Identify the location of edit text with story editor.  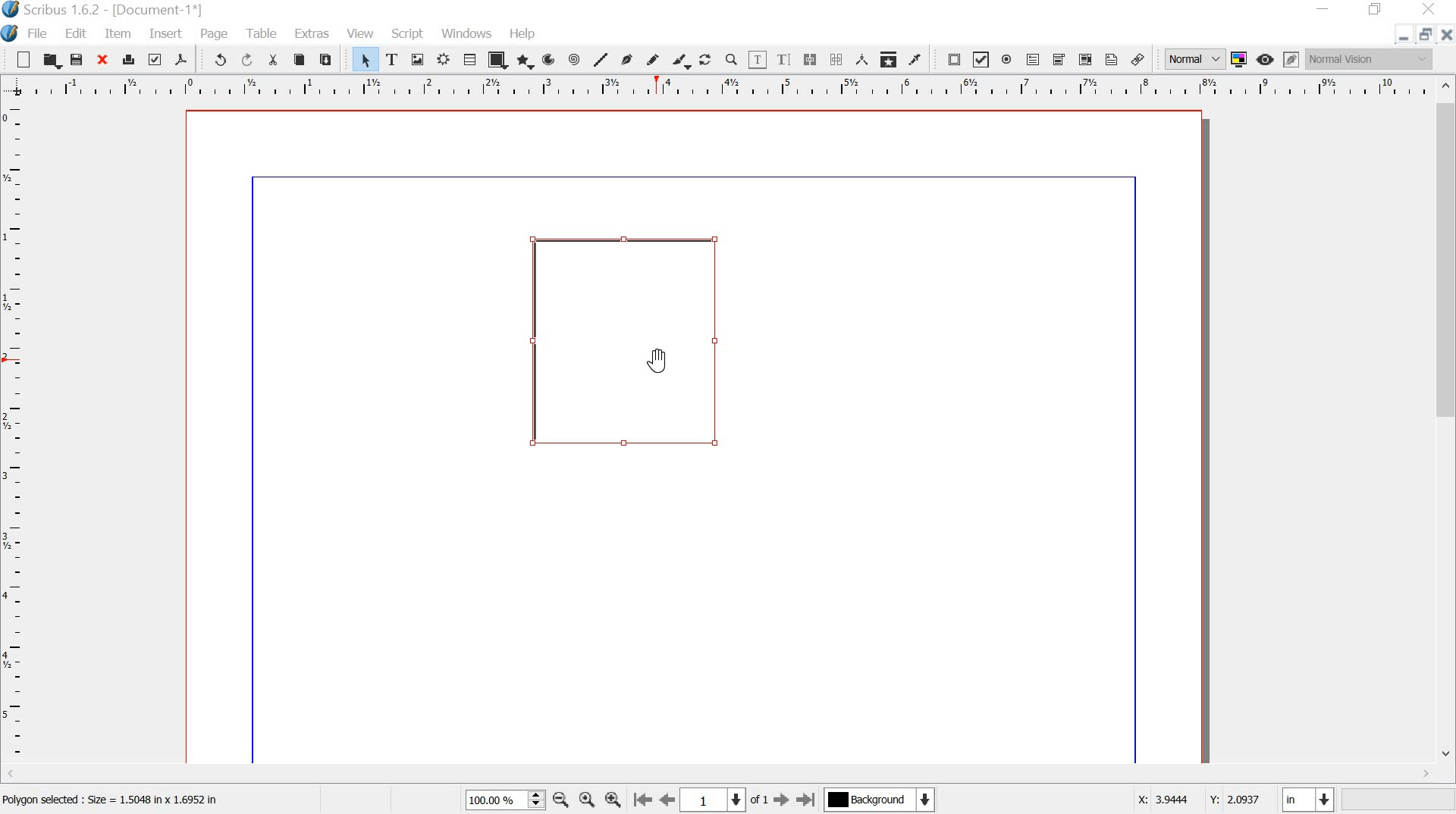
(783, 58).